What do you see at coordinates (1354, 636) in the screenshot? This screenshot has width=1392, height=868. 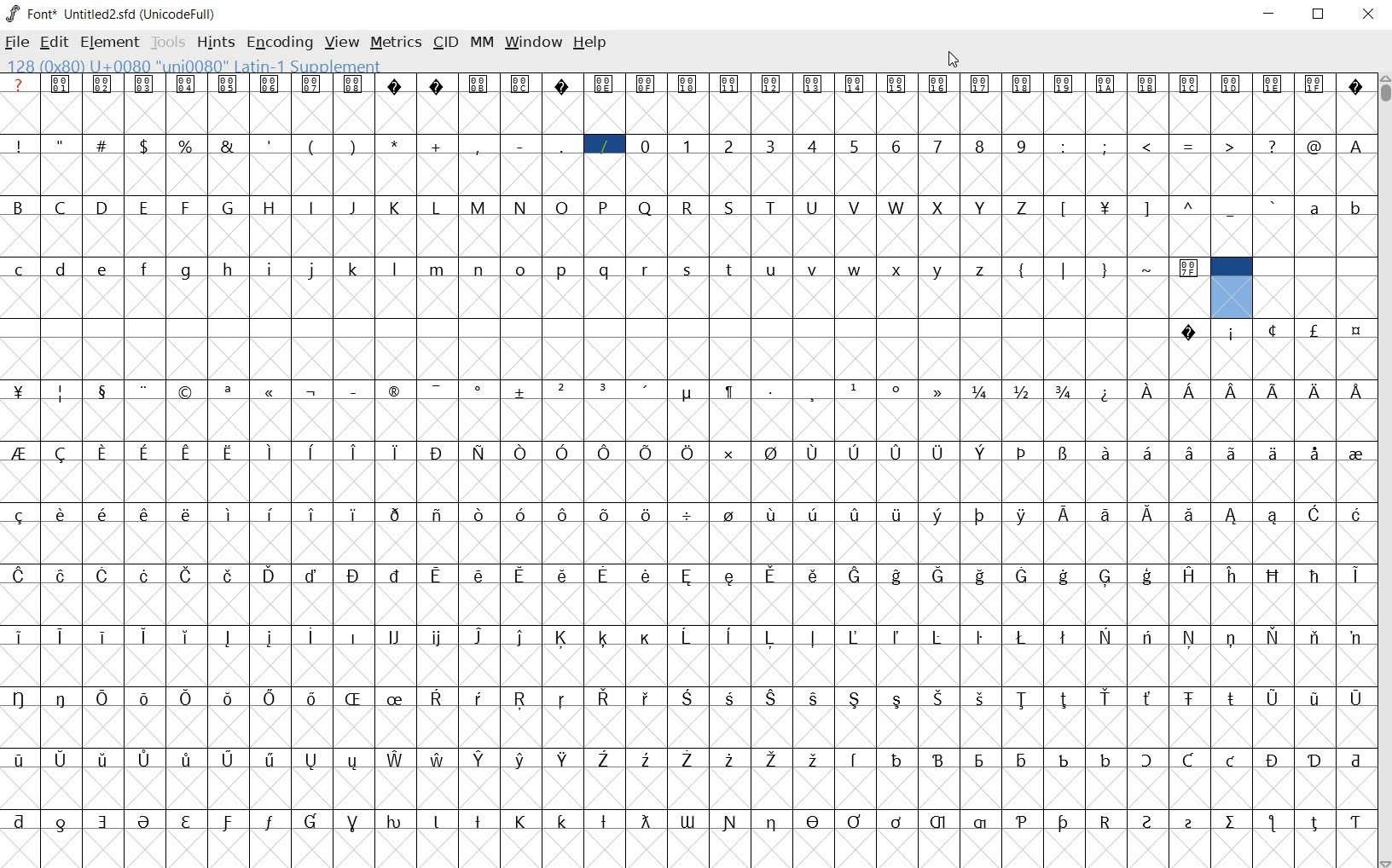 I see `Symbol` at bounding box center [1354, 636].